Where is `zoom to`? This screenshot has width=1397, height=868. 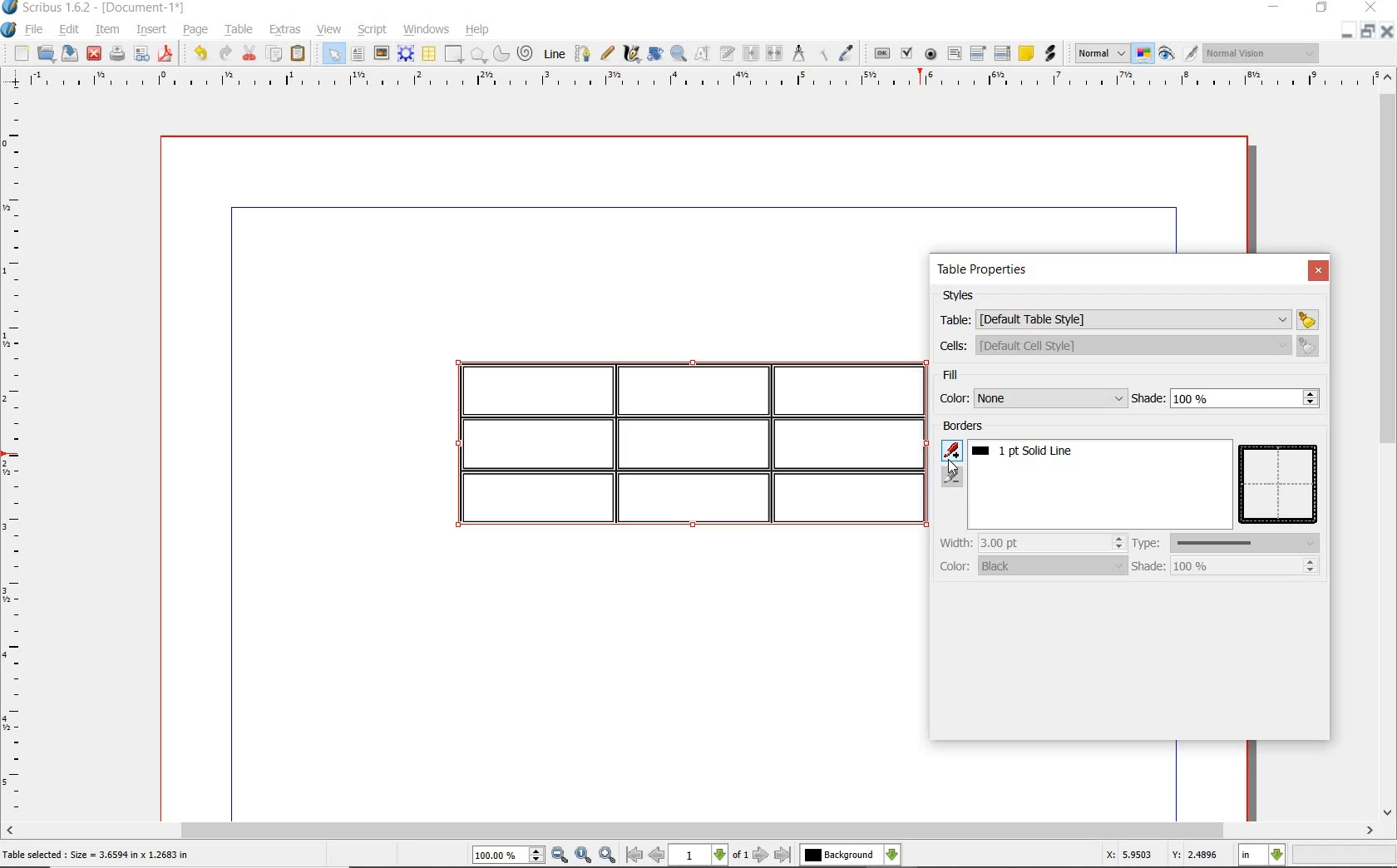
zoom to is located at coordinates (583, 855).